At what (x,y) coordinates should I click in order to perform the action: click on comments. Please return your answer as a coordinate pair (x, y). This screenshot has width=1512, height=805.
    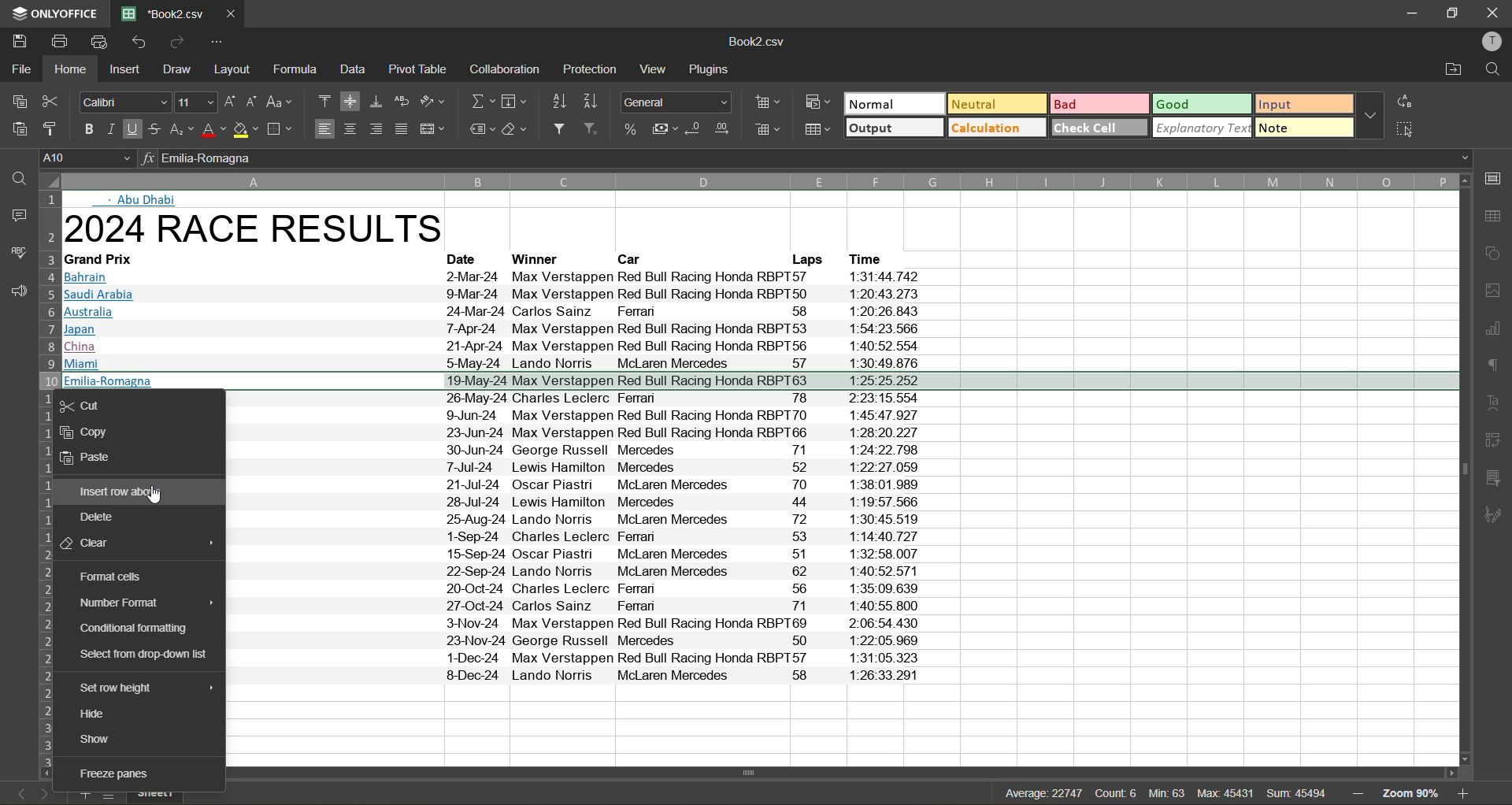
    Looking at the image, I should click on (16, 218).